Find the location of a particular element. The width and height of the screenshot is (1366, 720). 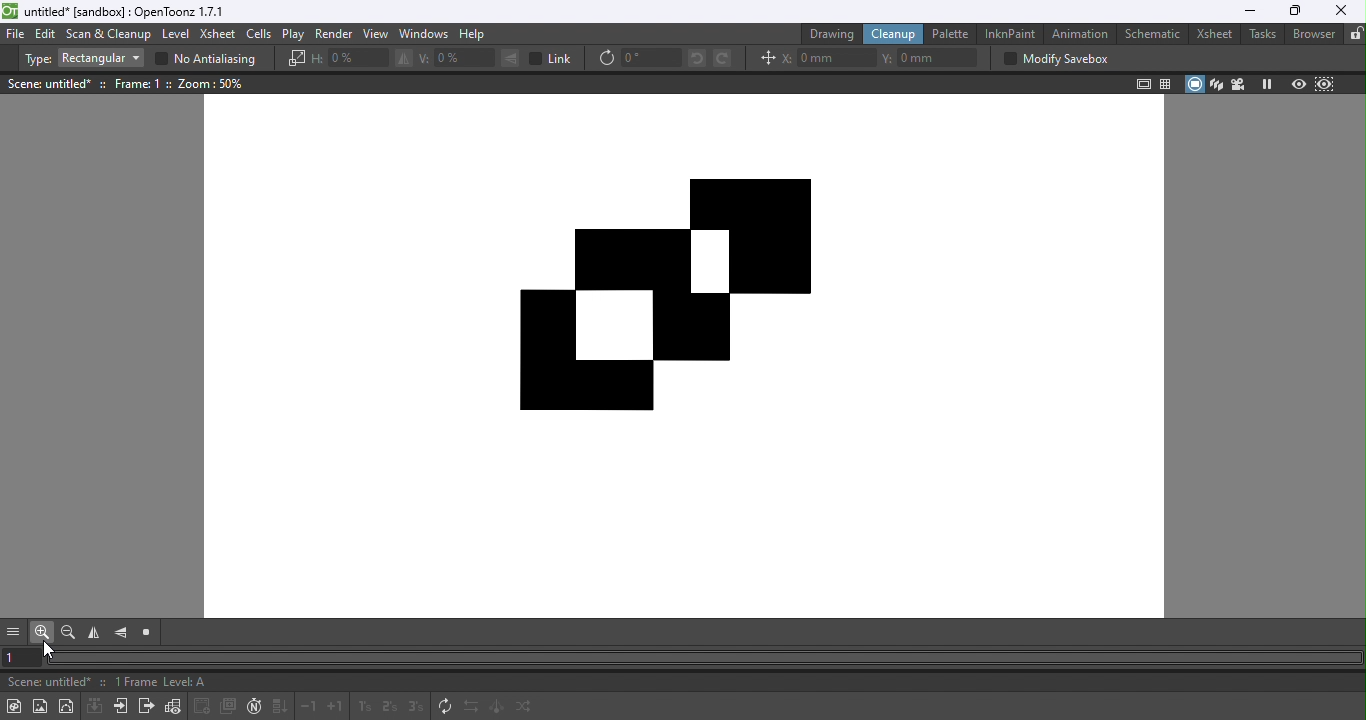

X-axis is located at coordinates (828, 57).